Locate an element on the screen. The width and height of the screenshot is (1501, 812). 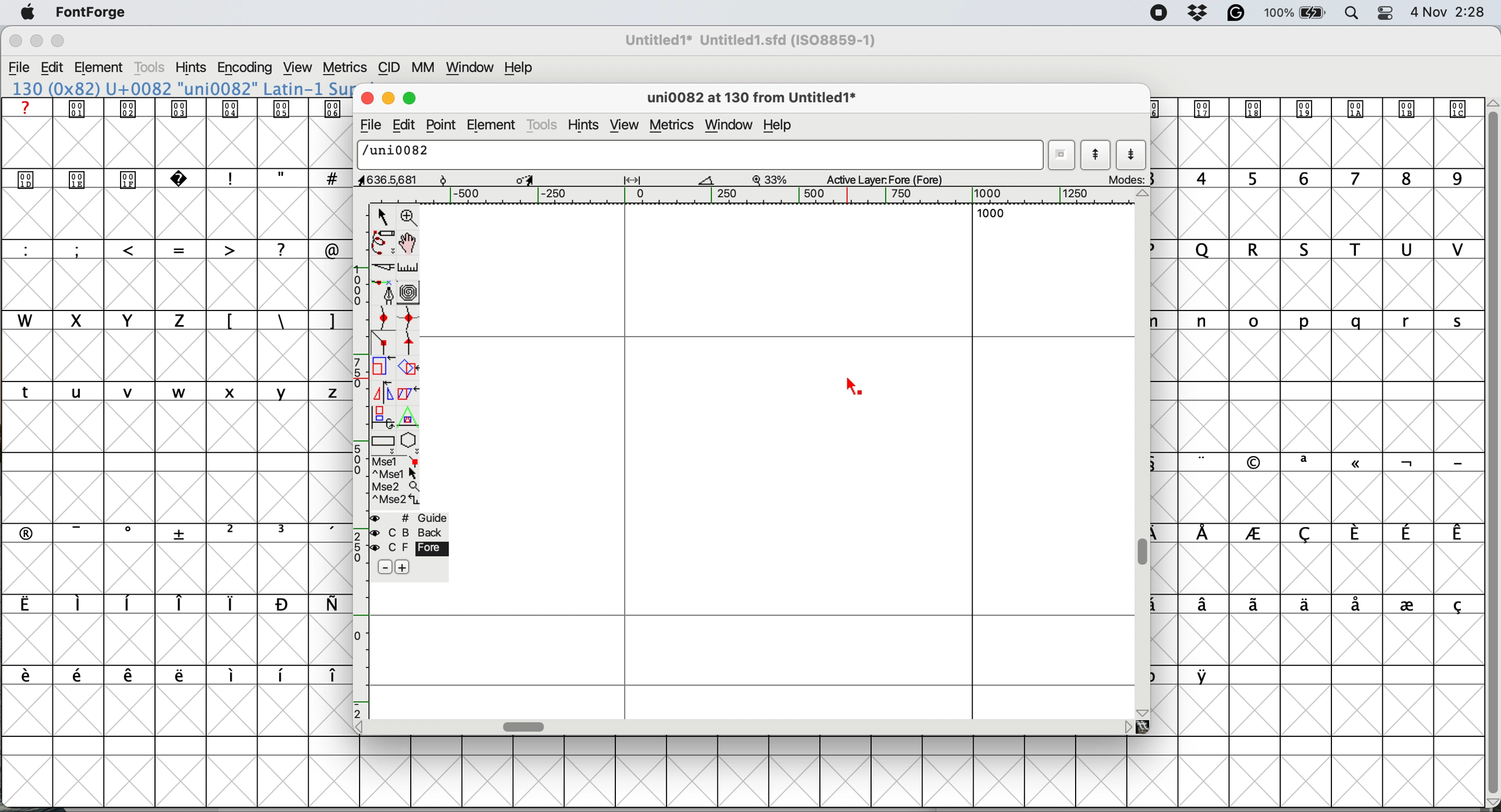
back is located at coordinates (410, 532).